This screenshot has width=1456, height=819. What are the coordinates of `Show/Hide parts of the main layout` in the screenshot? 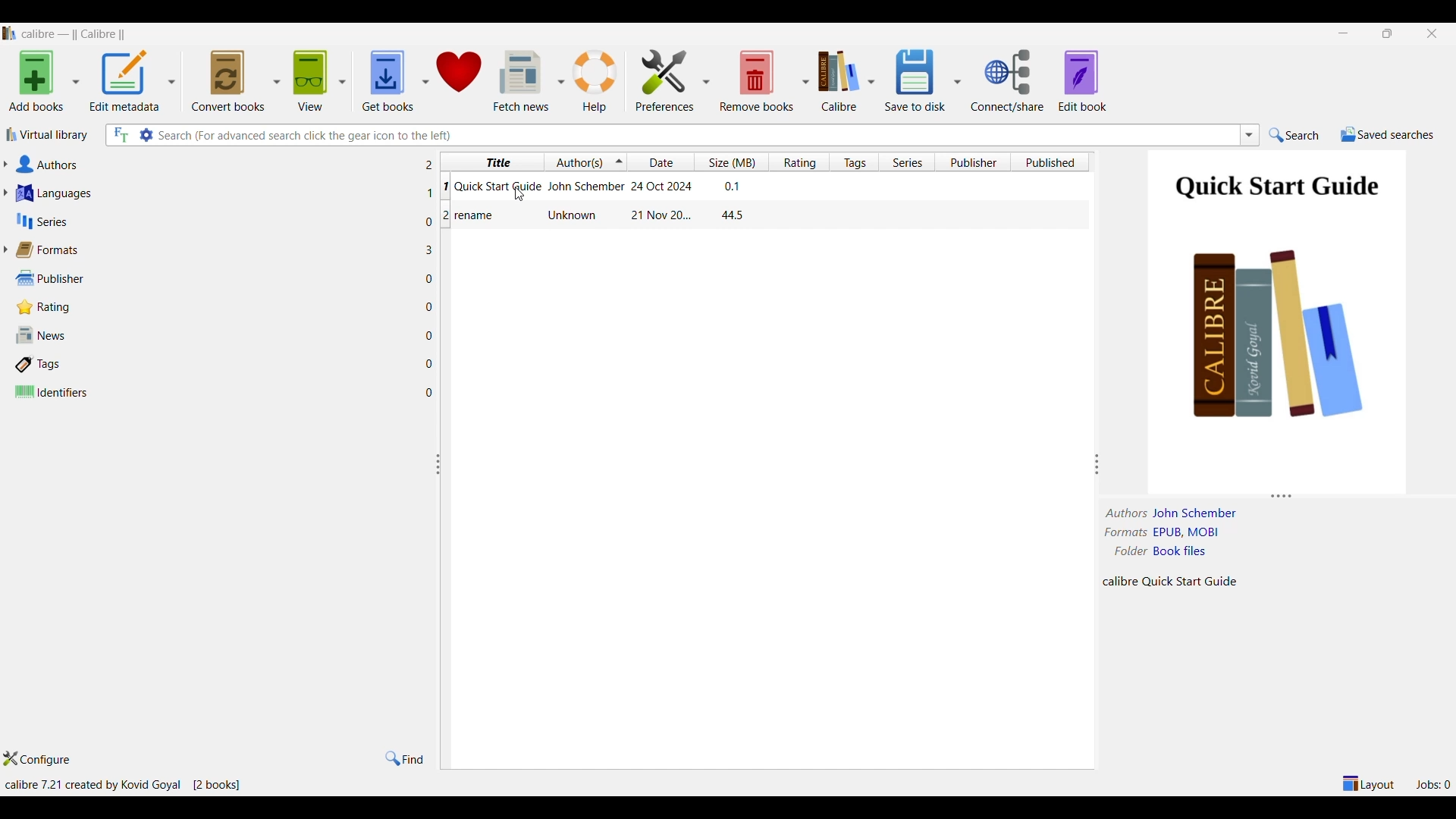 It's located at (1370, 783).